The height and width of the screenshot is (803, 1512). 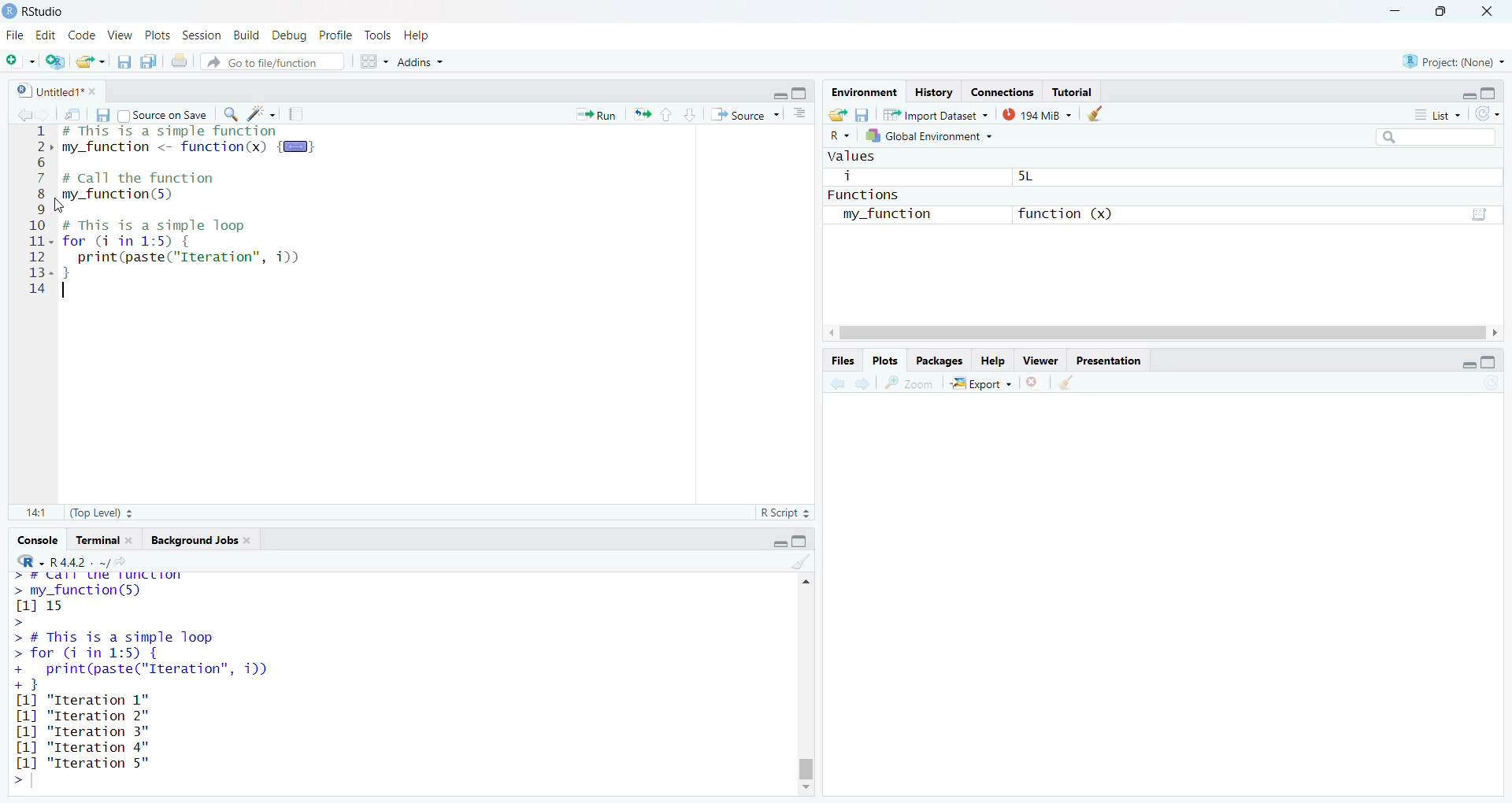 I want to click on language select, so click(x=23, y=561).